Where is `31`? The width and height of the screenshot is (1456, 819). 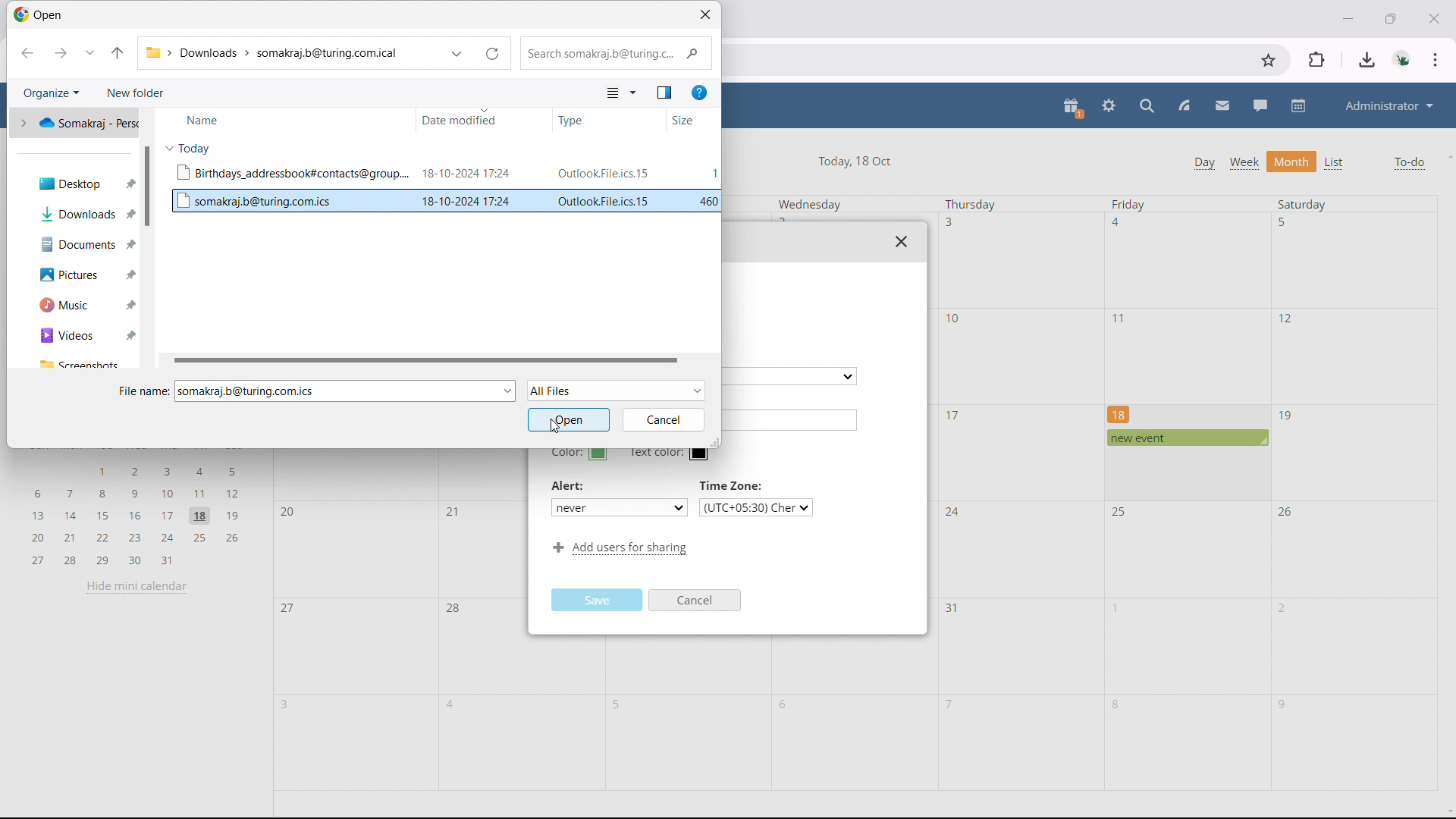 31 is located at coordinates (952, 608).